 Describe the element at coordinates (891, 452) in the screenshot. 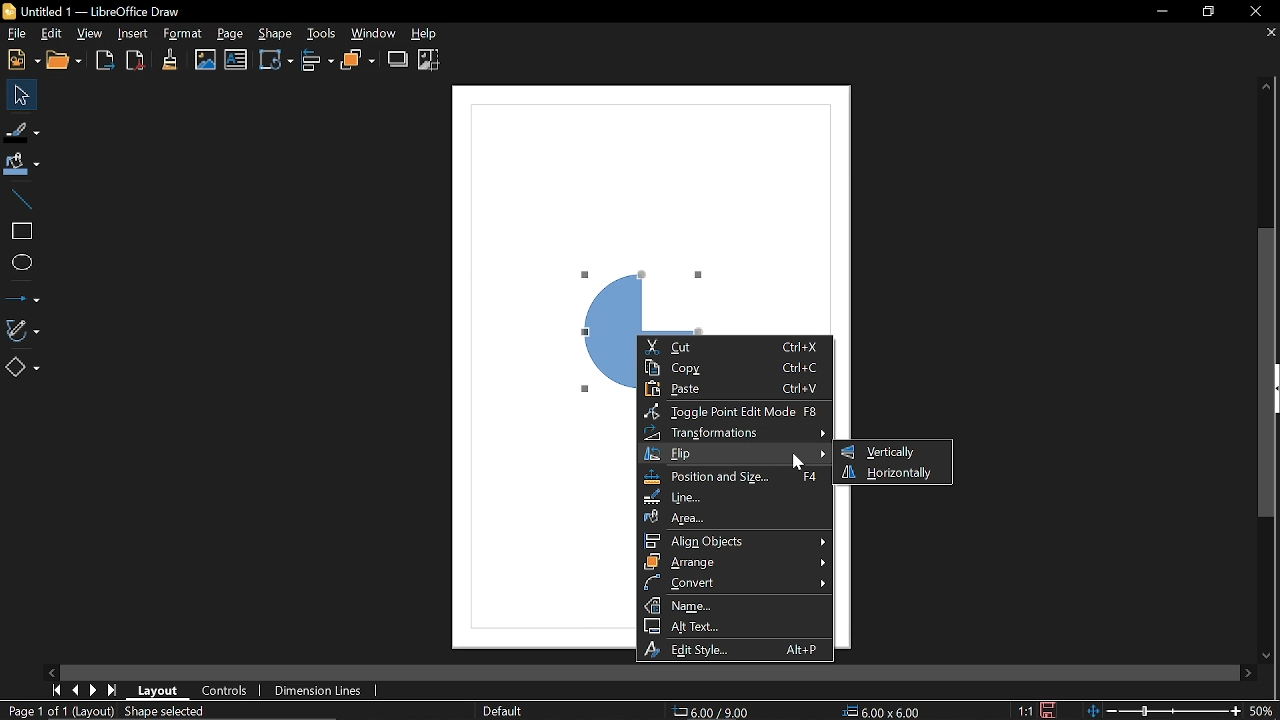

I see `Vertically` at that location.